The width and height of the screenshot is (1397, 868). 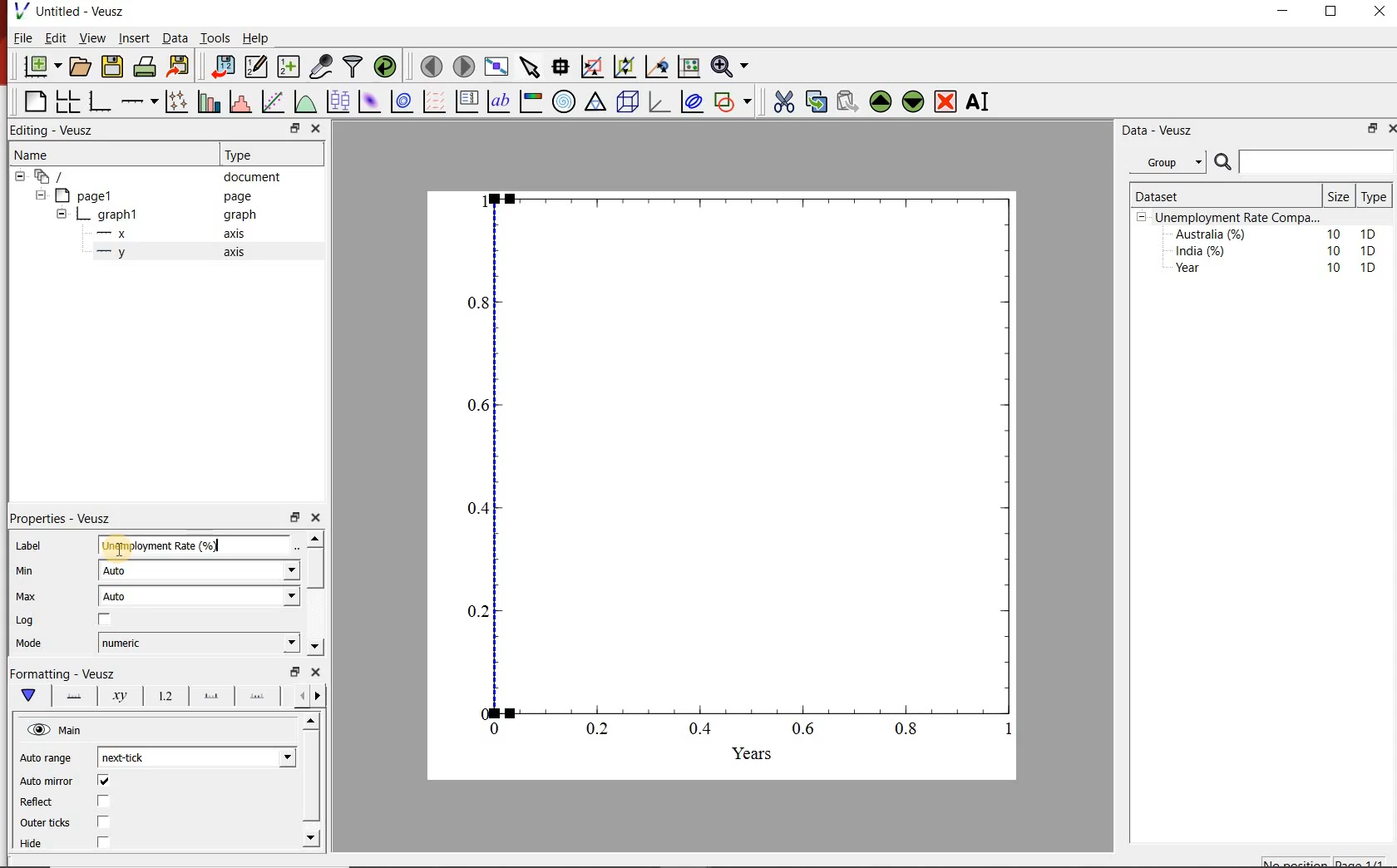 What do you see at coordinates (180, 253) in the screenshot?
I see `y axis` at bounding box center [180, 253].